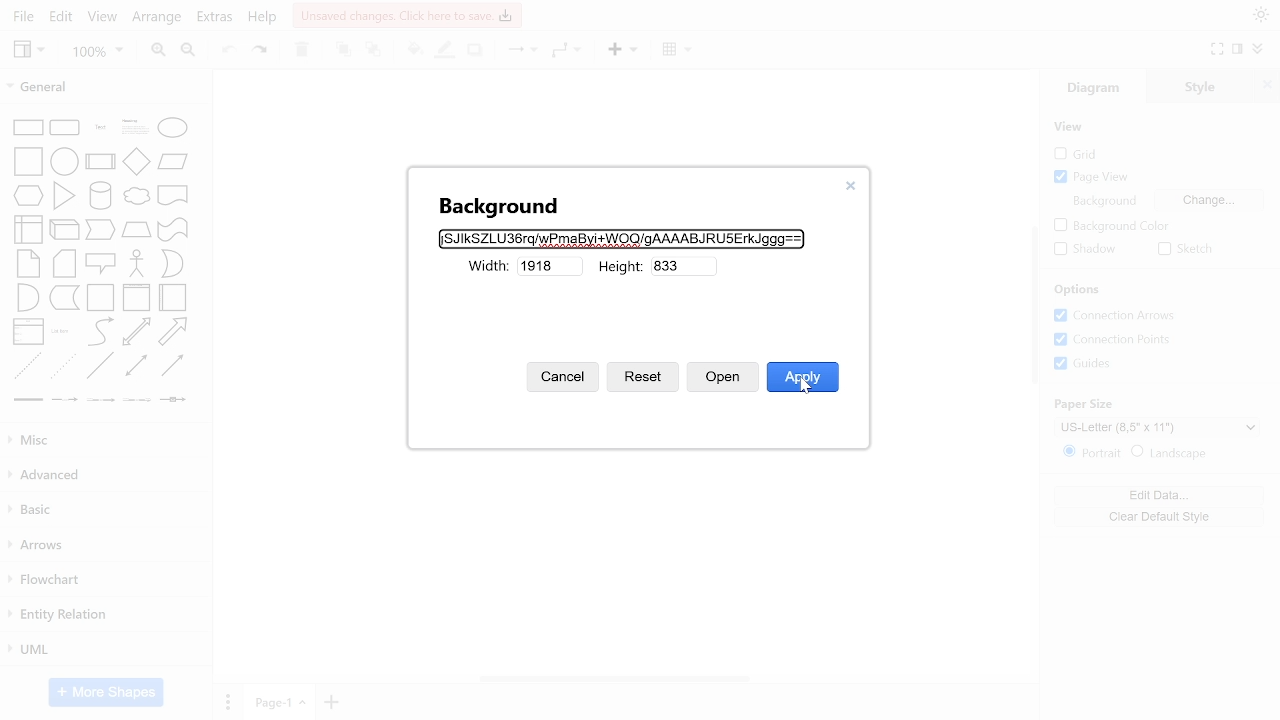  I want to click on collapse, so click(1258, 49).